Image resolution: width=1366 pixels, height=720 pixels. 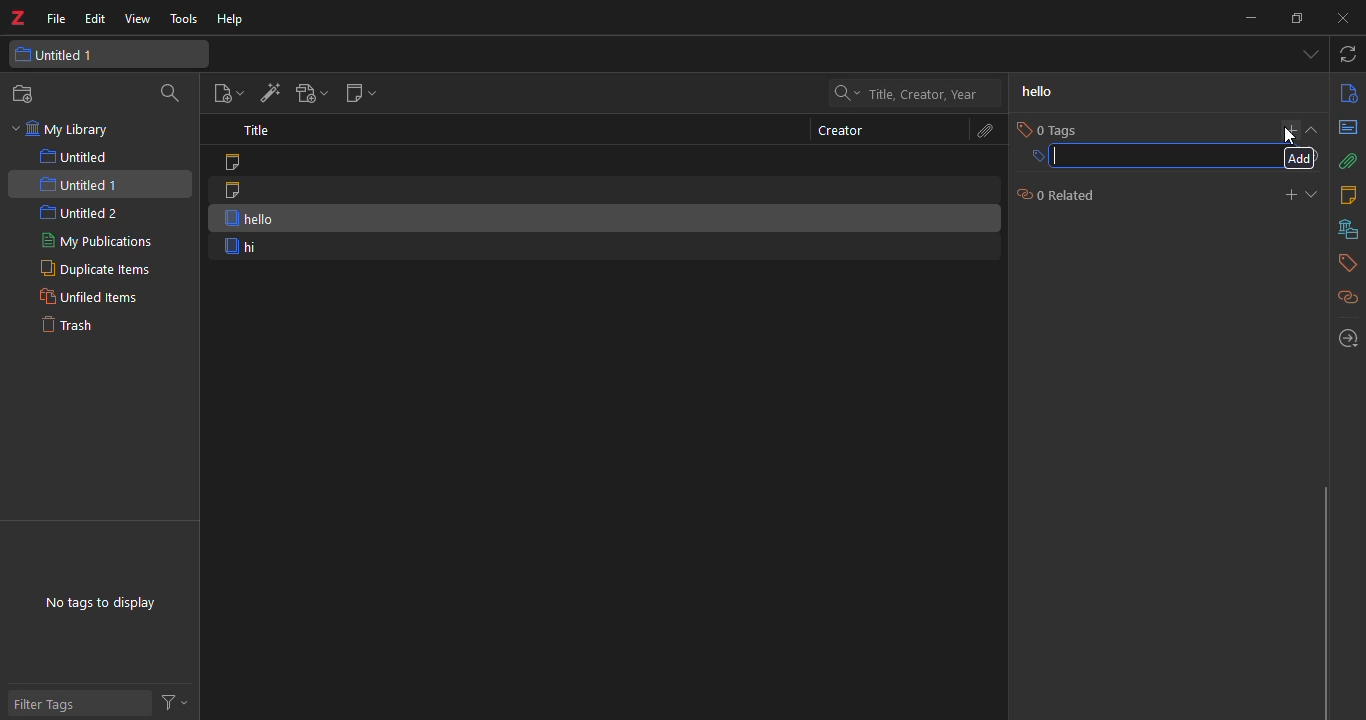 I want to click on tag, so click(x=1147, y=157).